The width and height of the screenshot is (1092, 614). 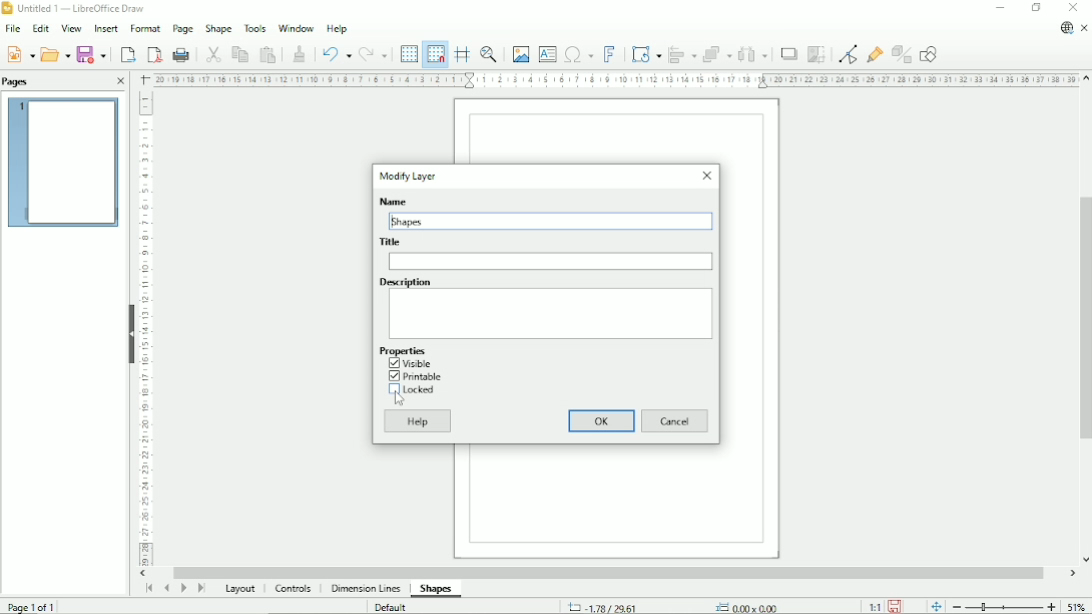 What do you see at coordinates (552, 313) in the screenshot?
I see `Description` at bounding box center [552, 313].